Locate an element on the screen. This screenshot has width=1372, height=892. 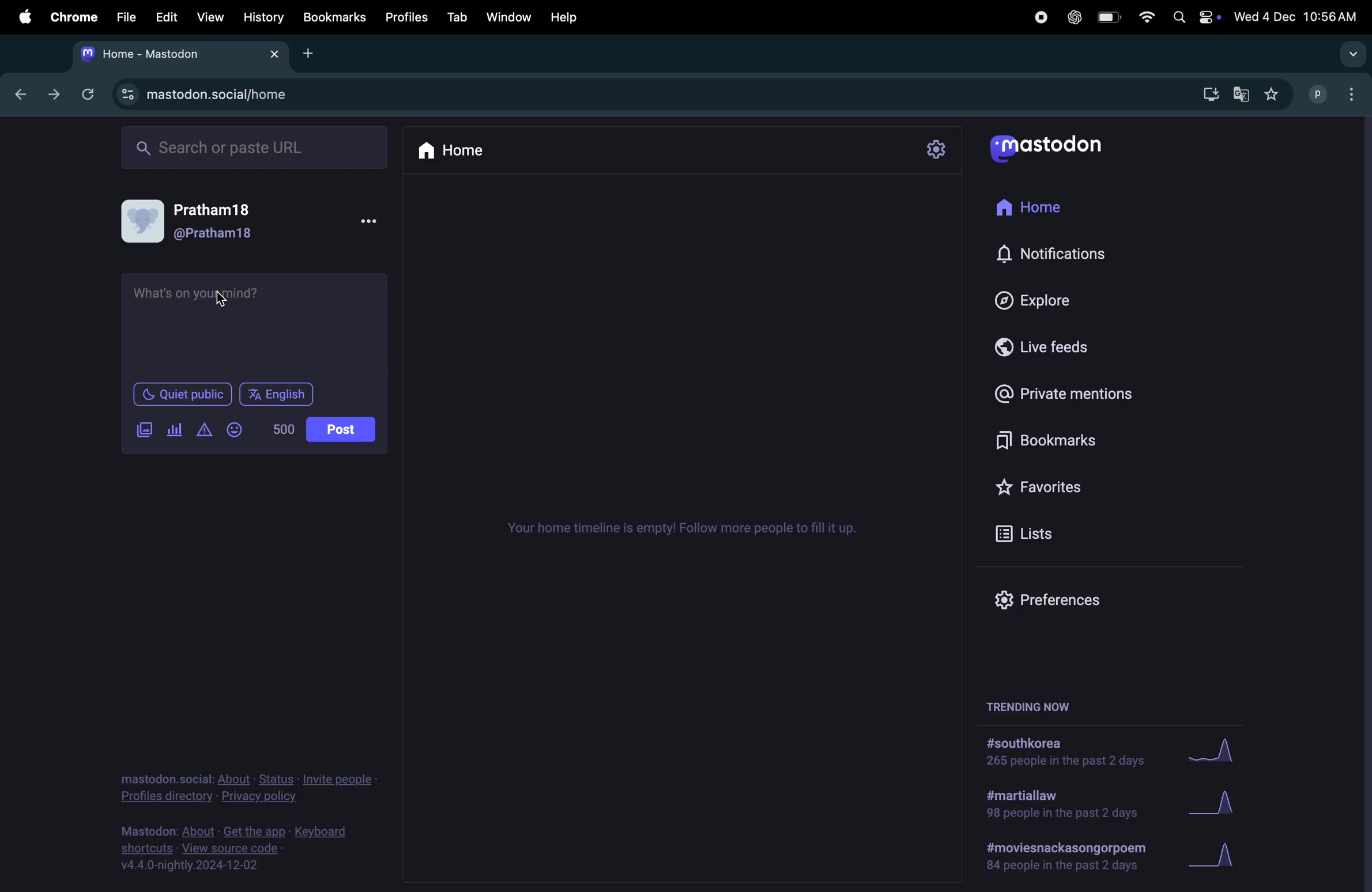
Quiet public is located at coordinates (181, 394).